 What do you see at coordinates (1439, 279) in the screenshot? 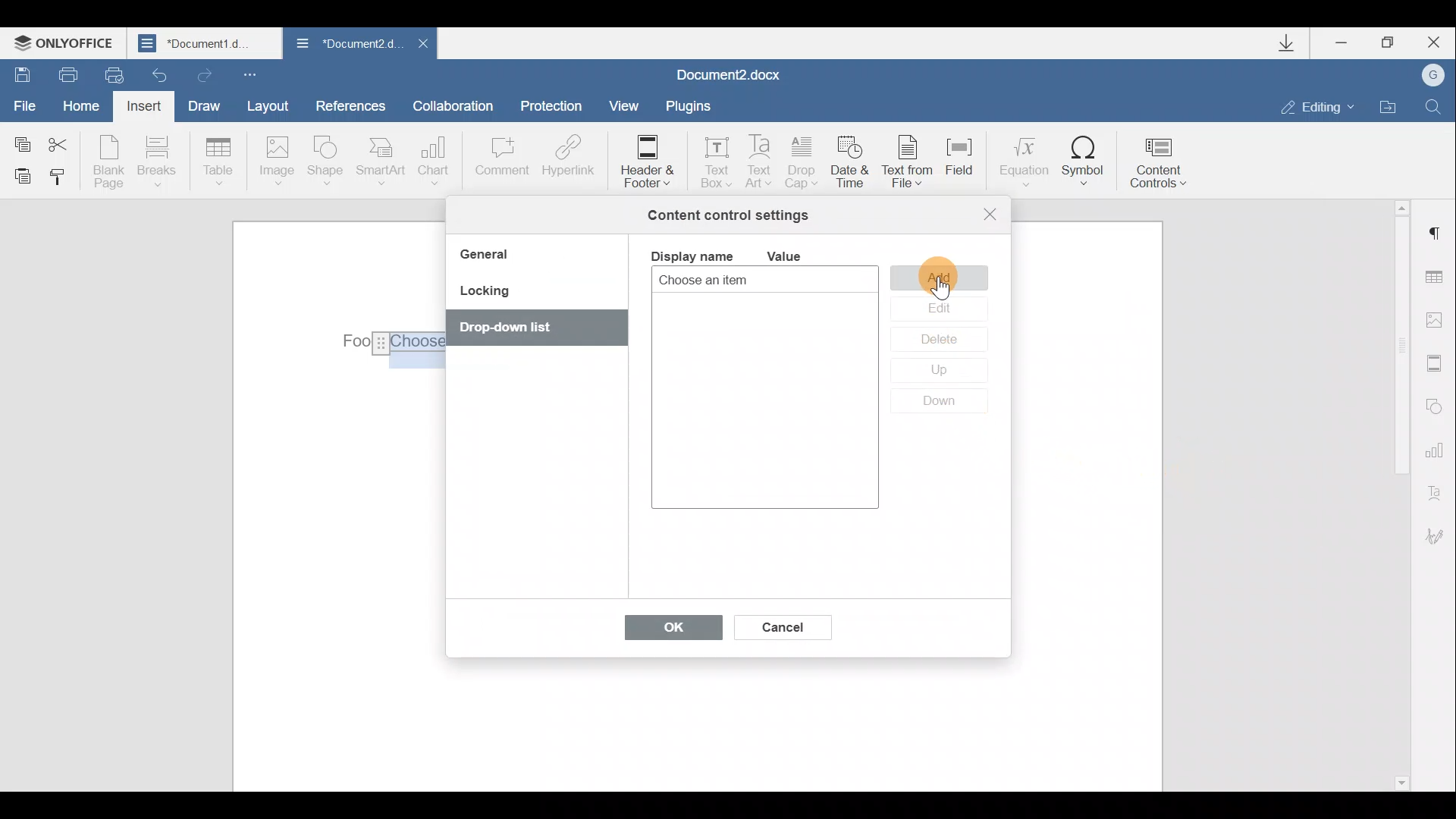
I see `Table settings` at bounding box center [1439, 279].